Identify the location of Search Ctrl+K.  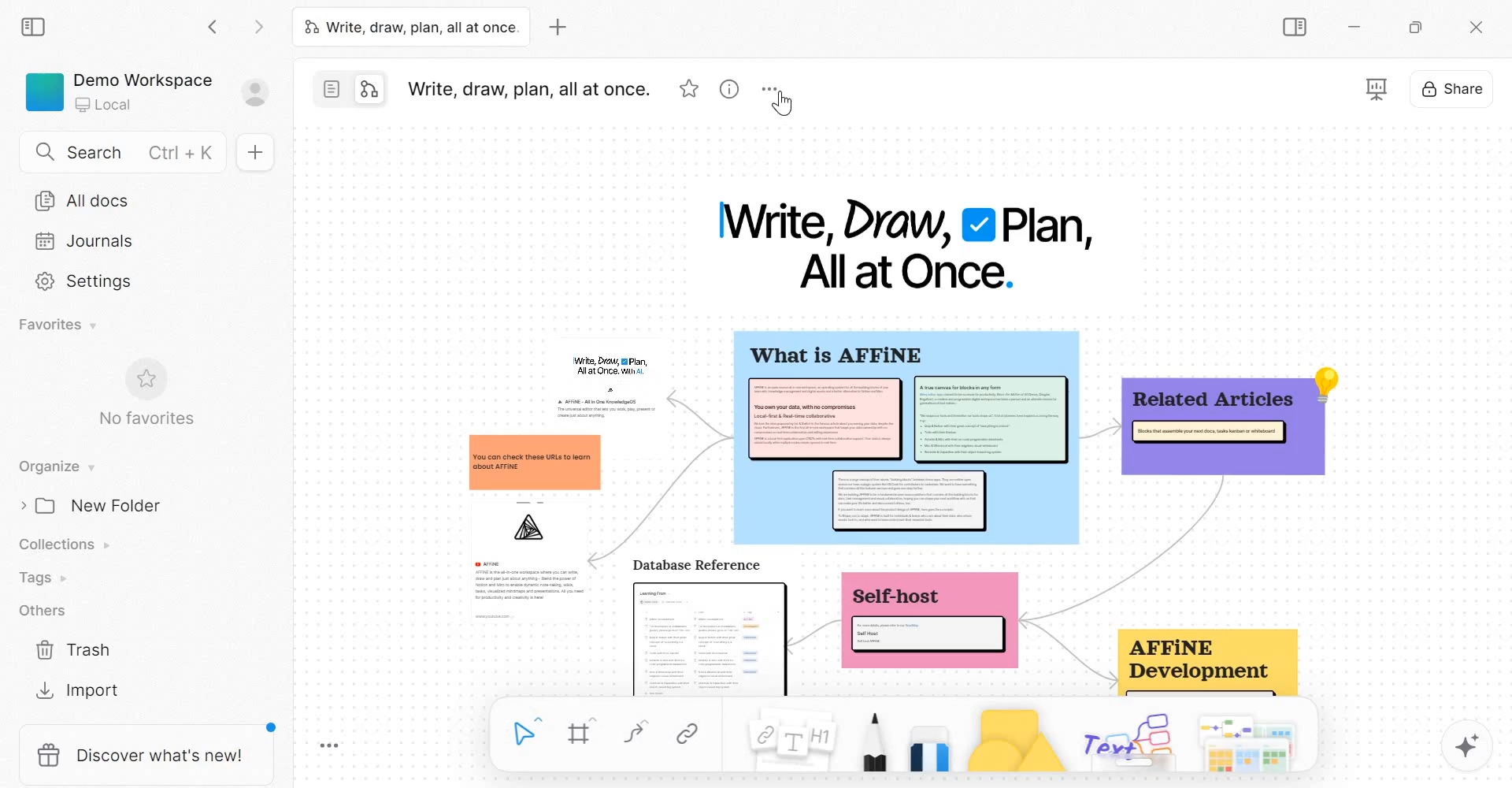
(125, 149).